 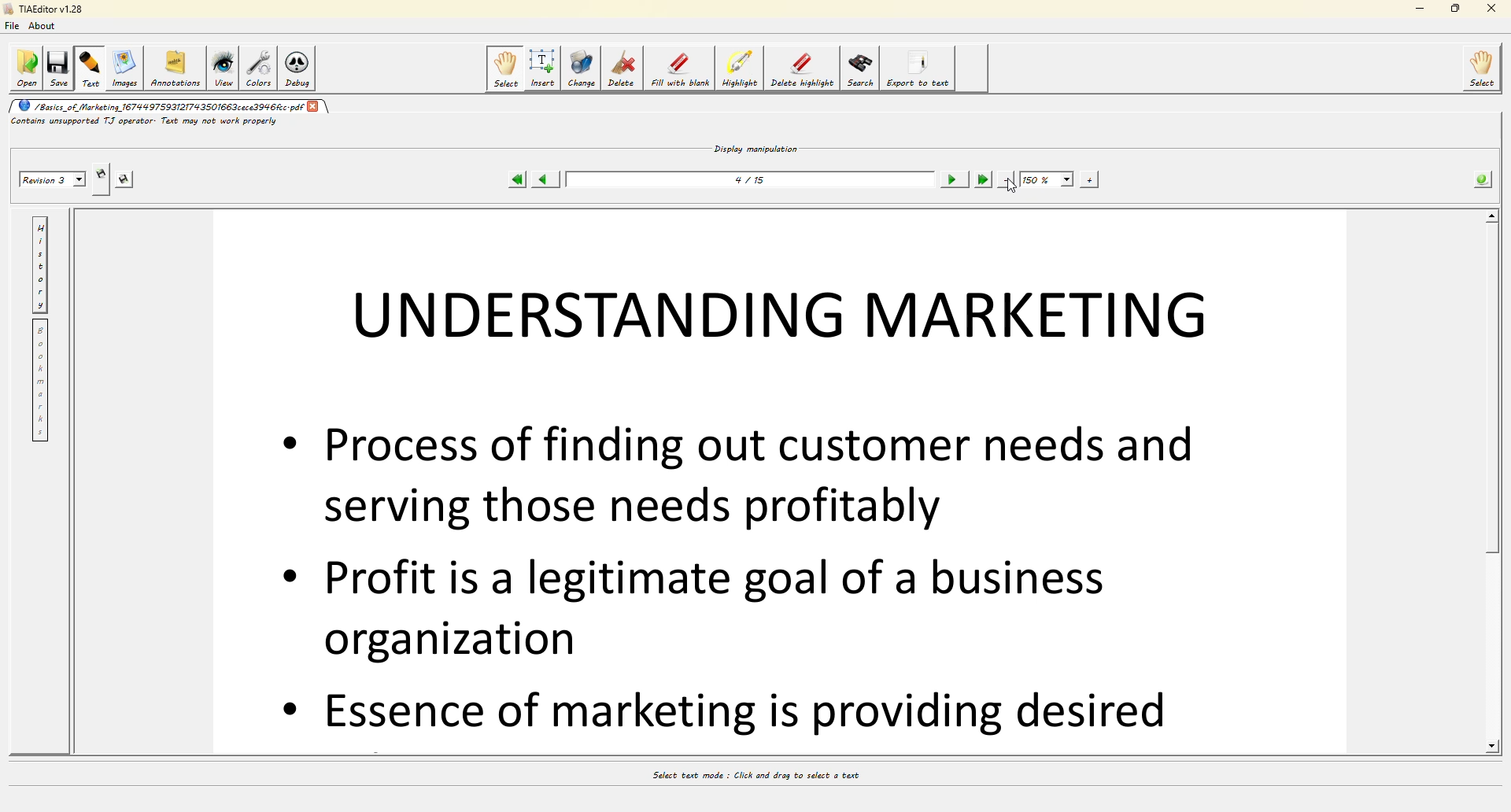 What do you see at coordinates (1419, 9) in the screenshot?
I see `minimize` at bounding box center [1419, 9].